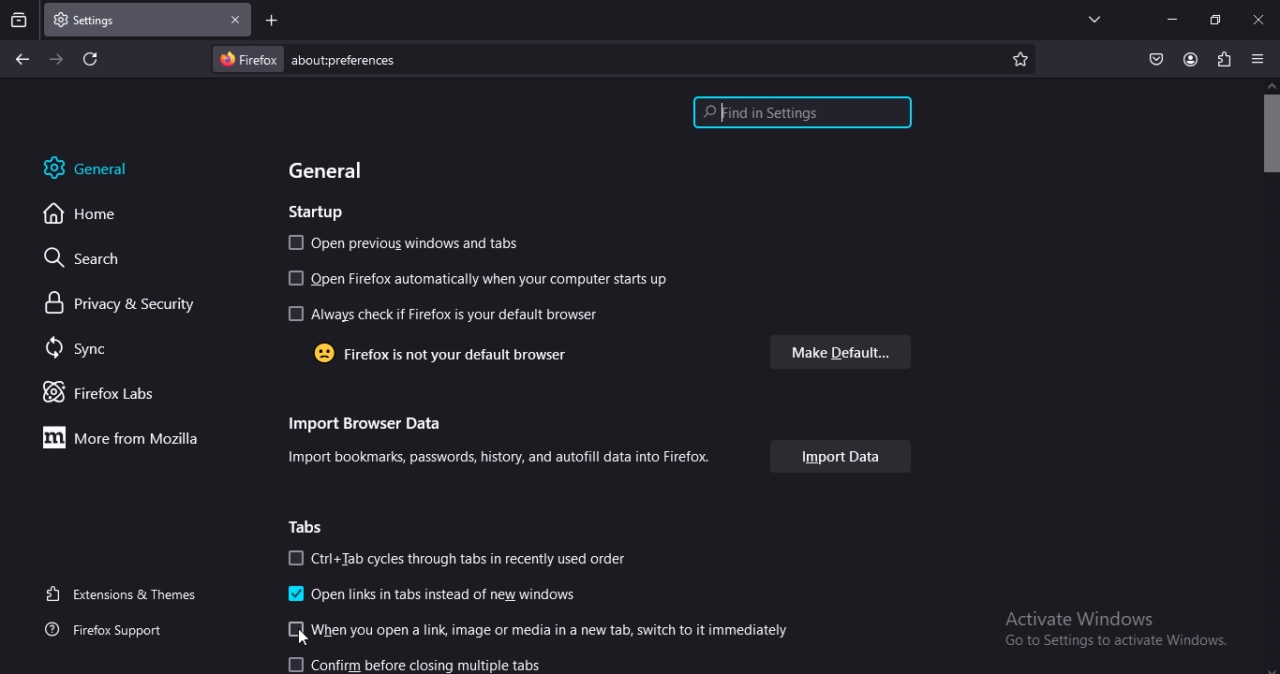 The width and height of the screenshot is (1280, 674). What do you see at coordinates (58, 60) in the screenshot?
I see `go forward one page` at bounding box center [58, 60].